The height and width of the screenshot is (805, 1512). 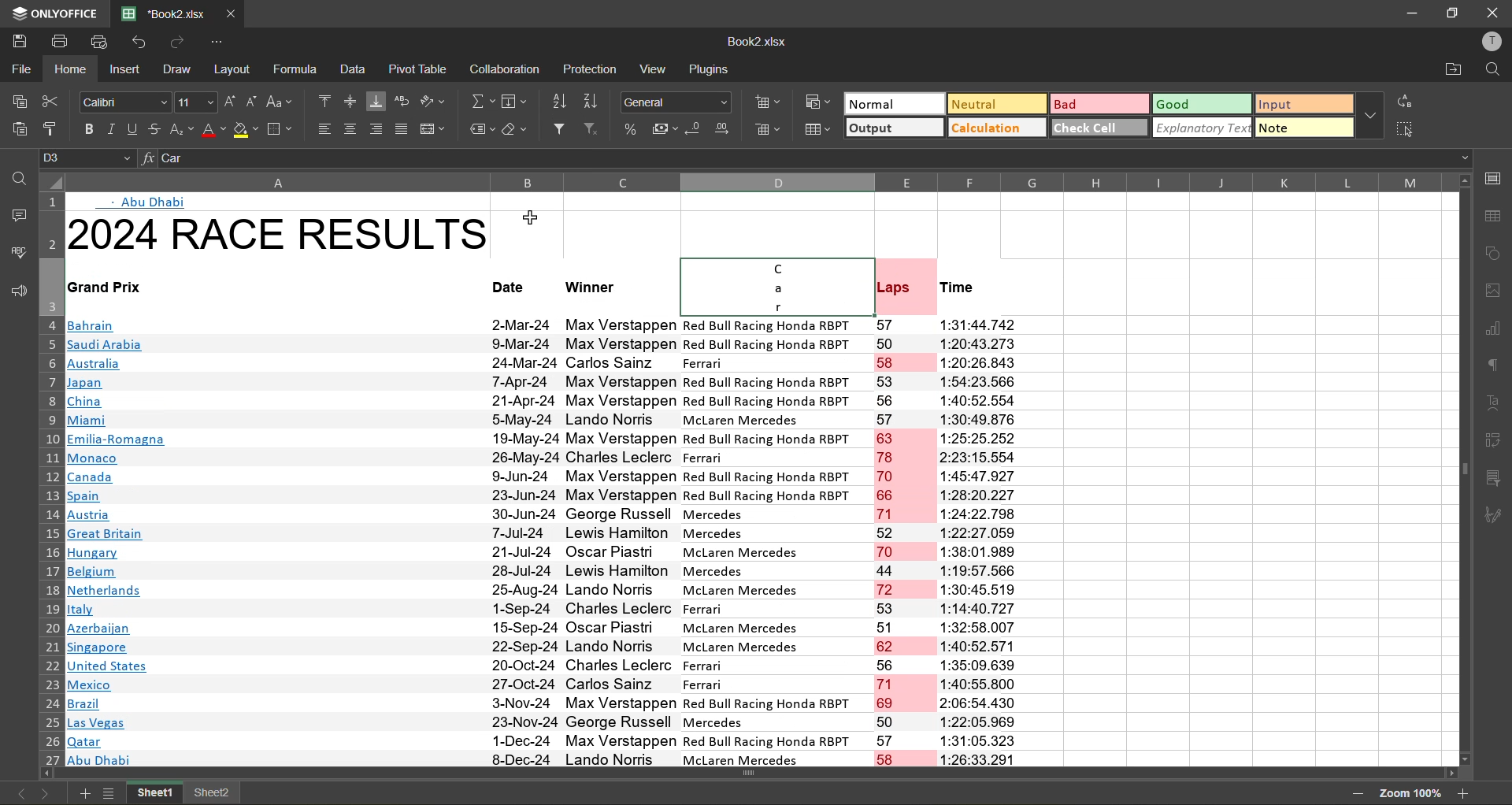 I want to click on cell address, so click(x=91, y=157).